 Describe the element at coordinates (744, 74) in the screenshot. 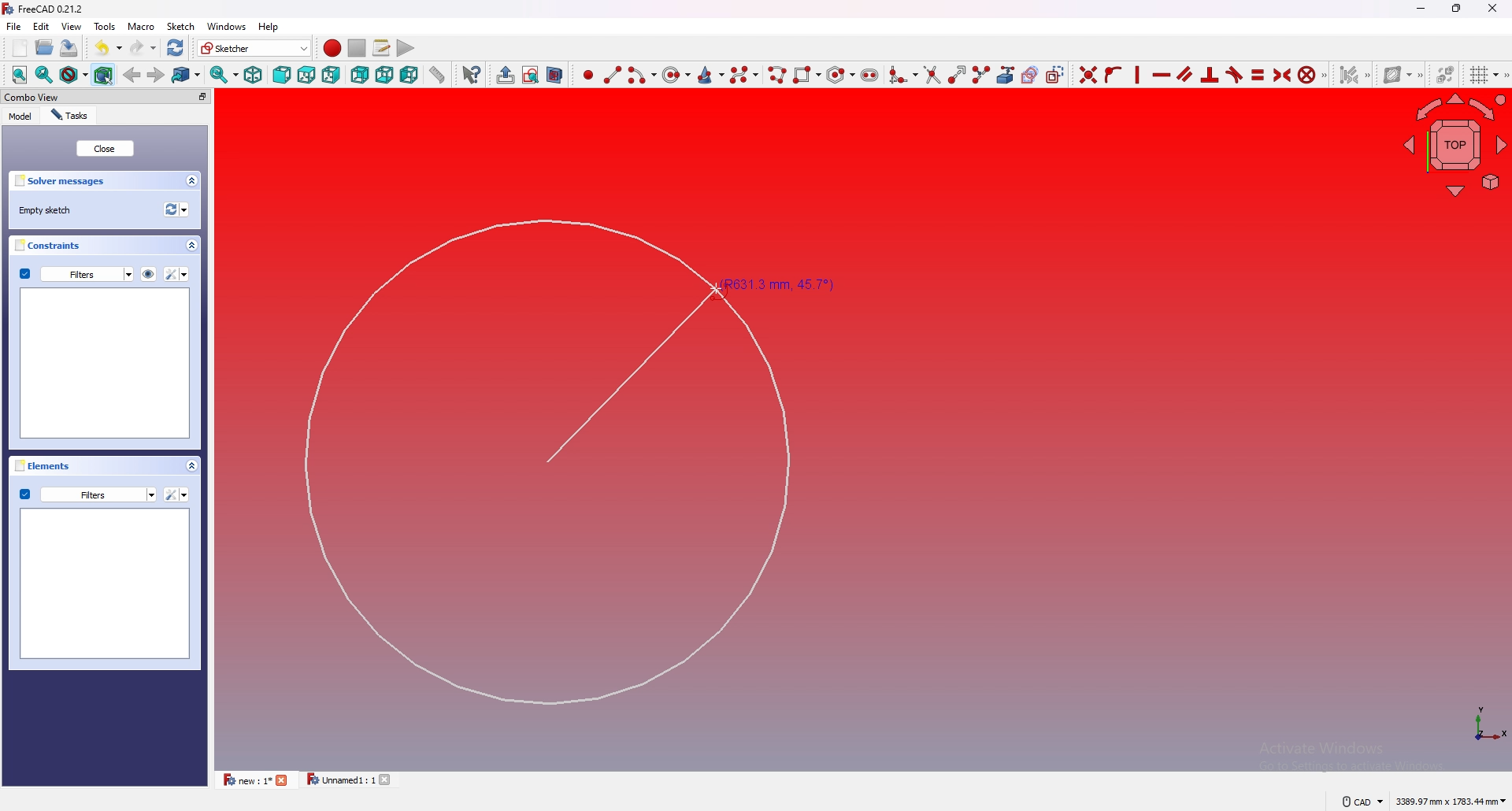

I see `create b spline` at that location.